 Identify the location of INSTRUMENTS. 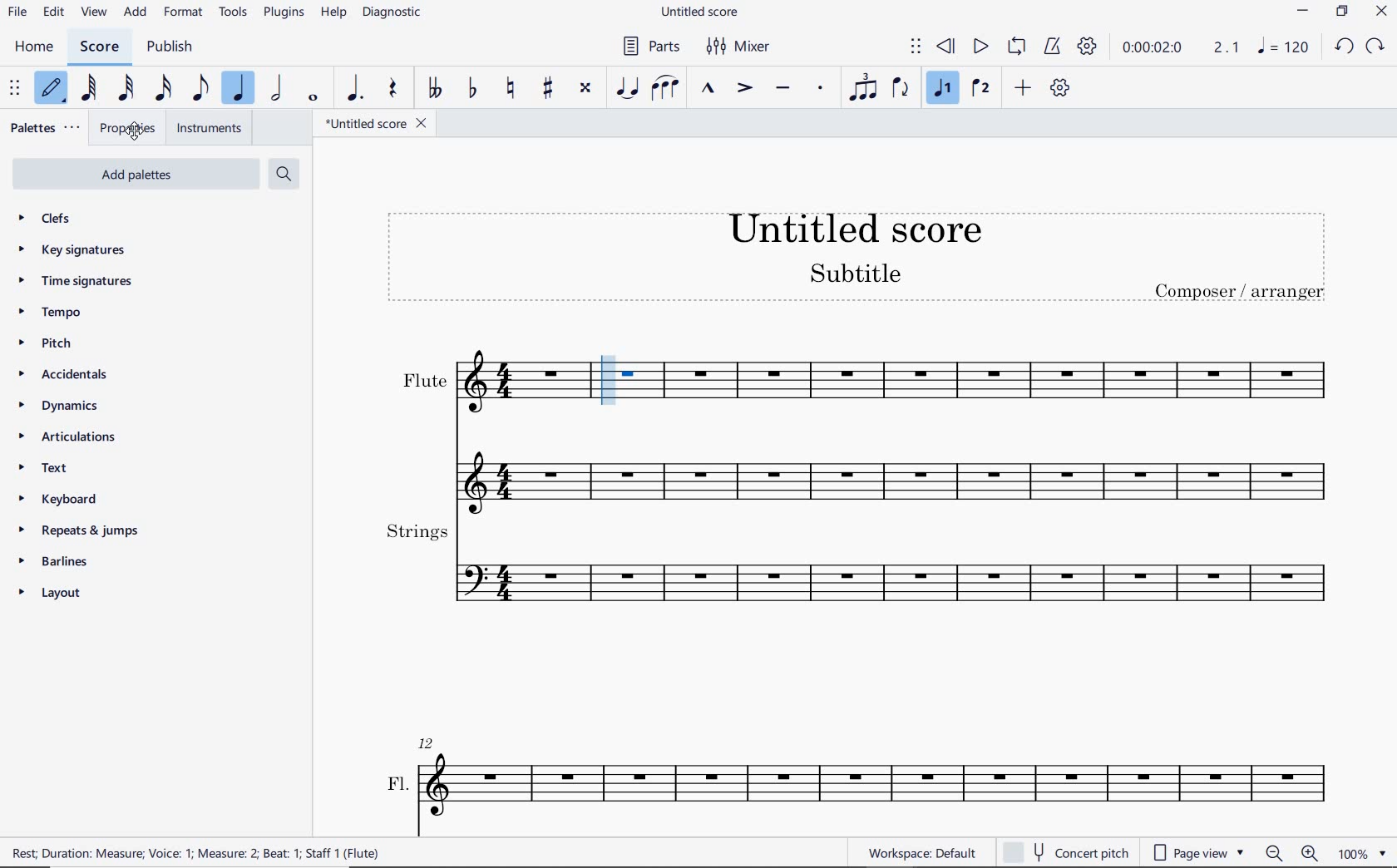
(211, 130).